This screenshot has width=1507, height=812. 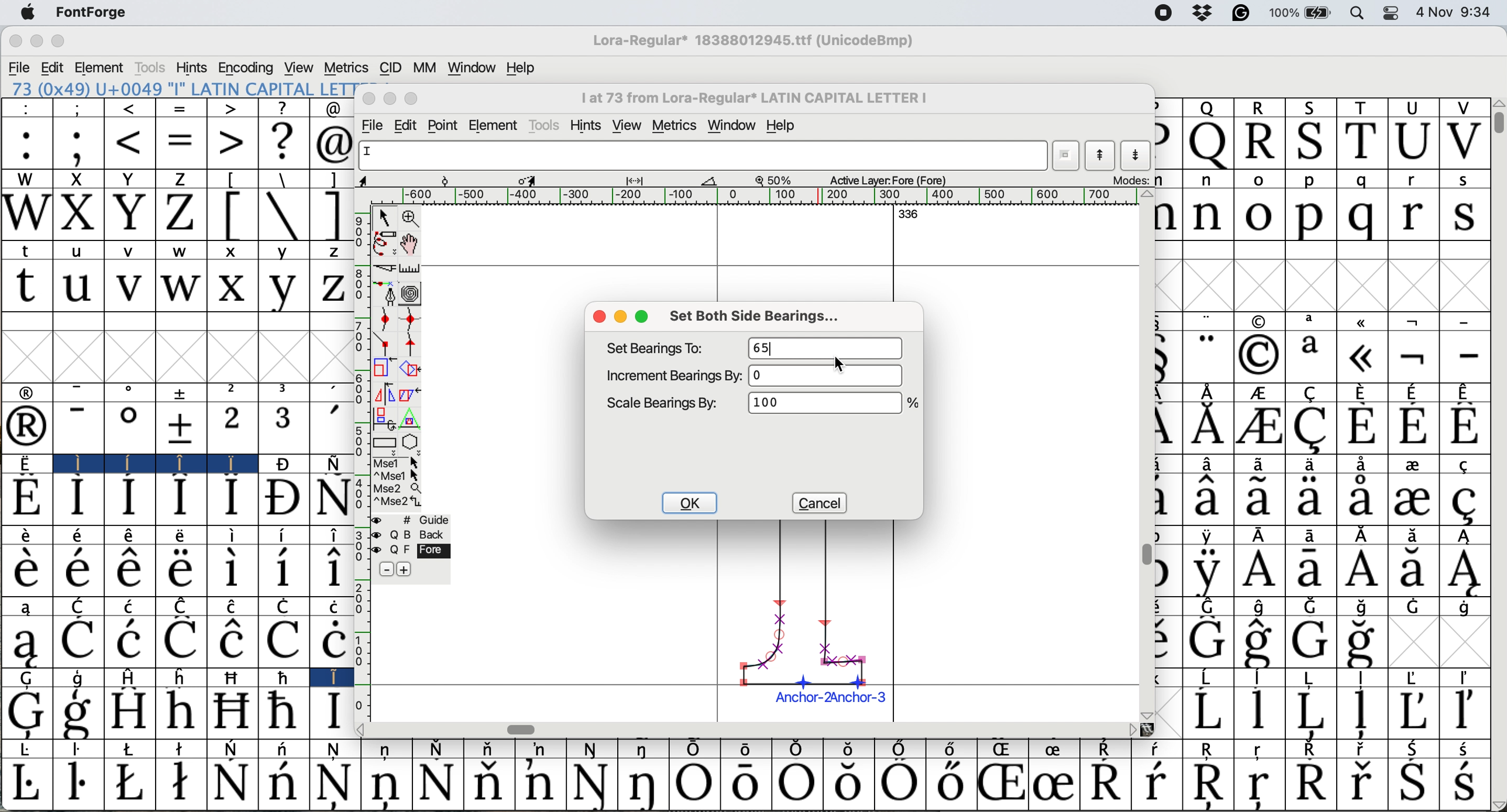 What do you see at coordinates (1365, 678) in the screenshot?
I see `Symbol` at bounding box center [1365, 678].